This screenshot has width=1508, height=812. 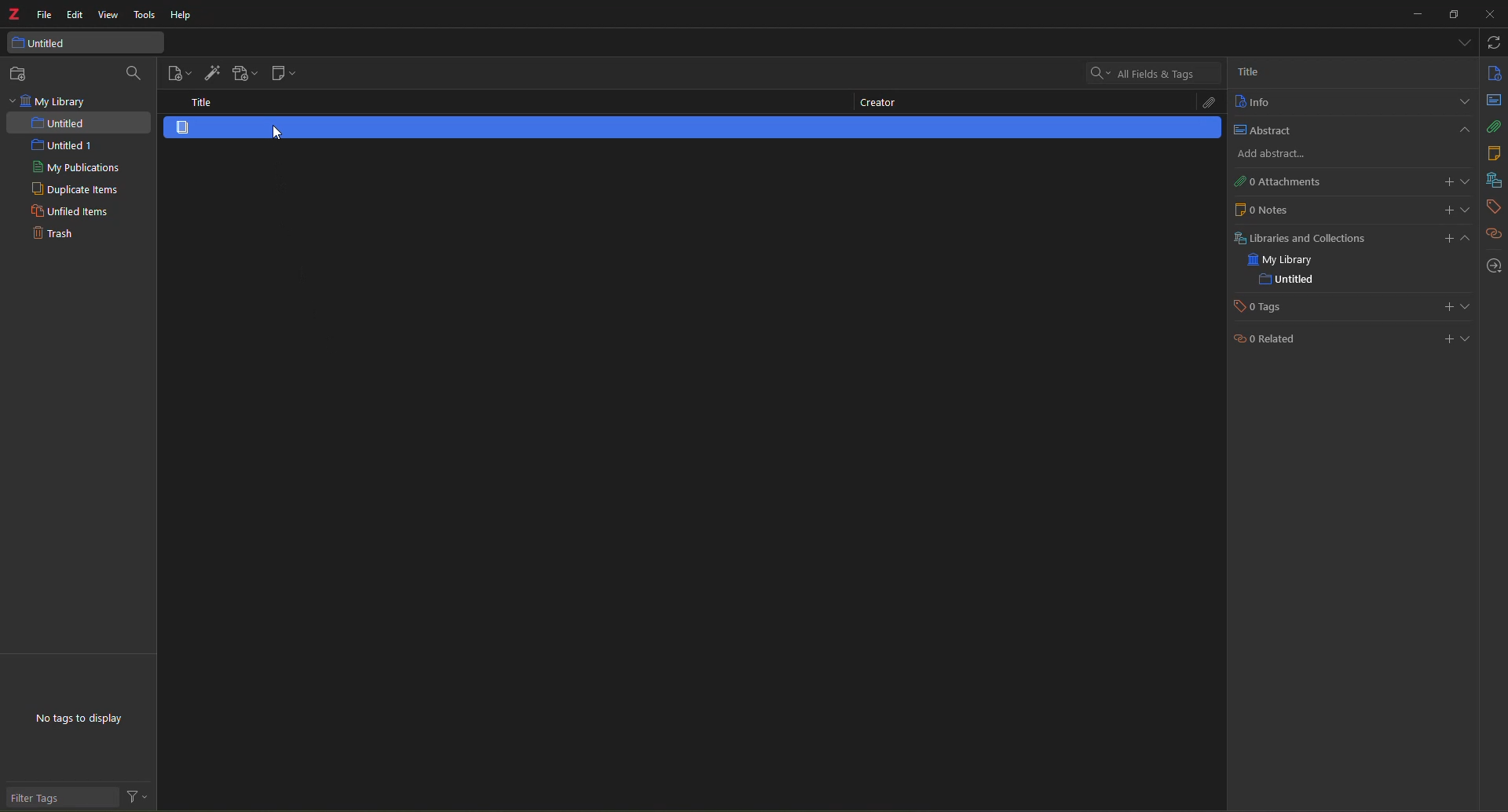 I want to click on untitled 1, so click(x=55, y=145).